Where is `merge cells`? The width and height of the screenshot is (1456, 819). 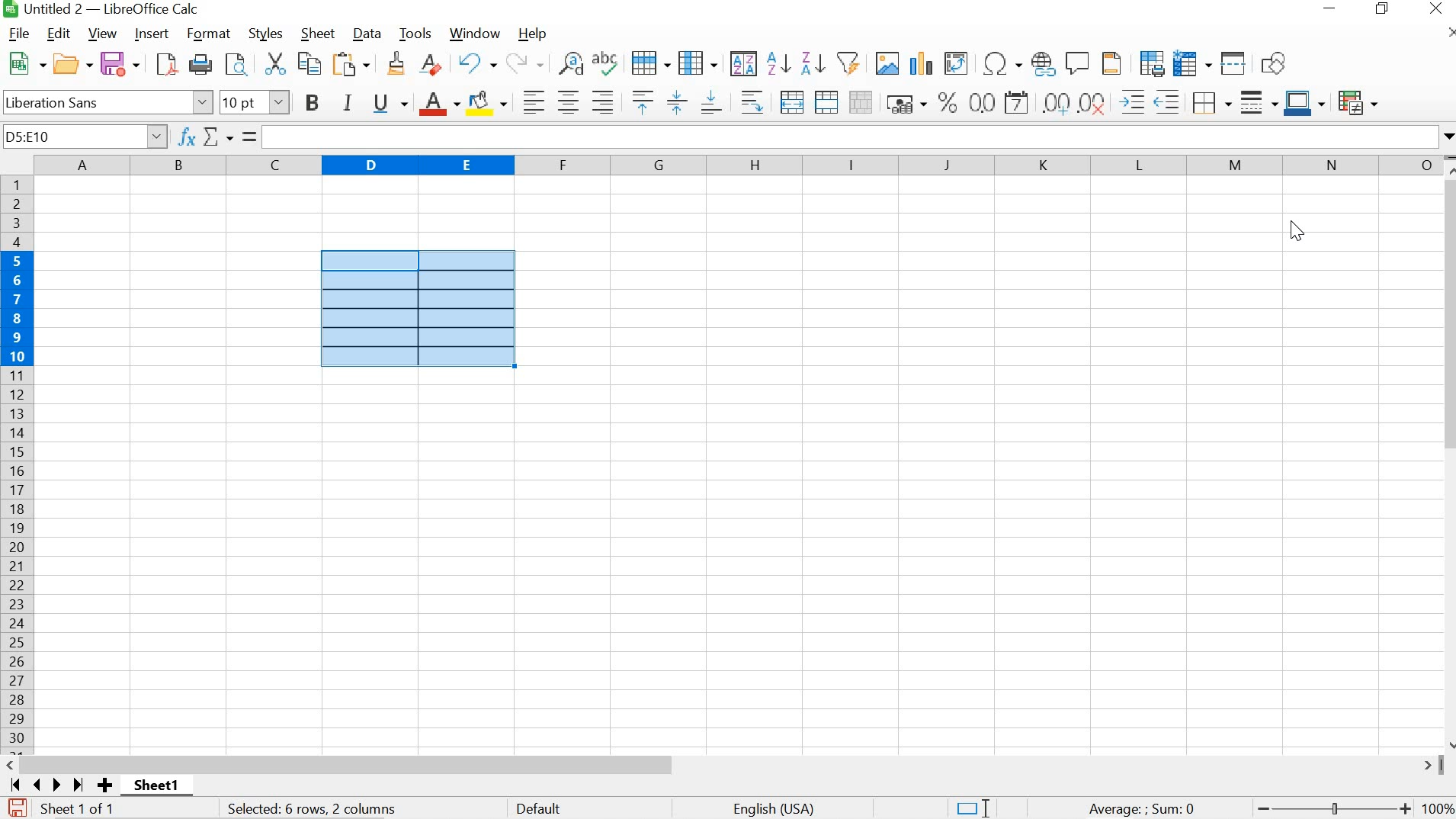
merge cells is located at coordinates (825, 101).